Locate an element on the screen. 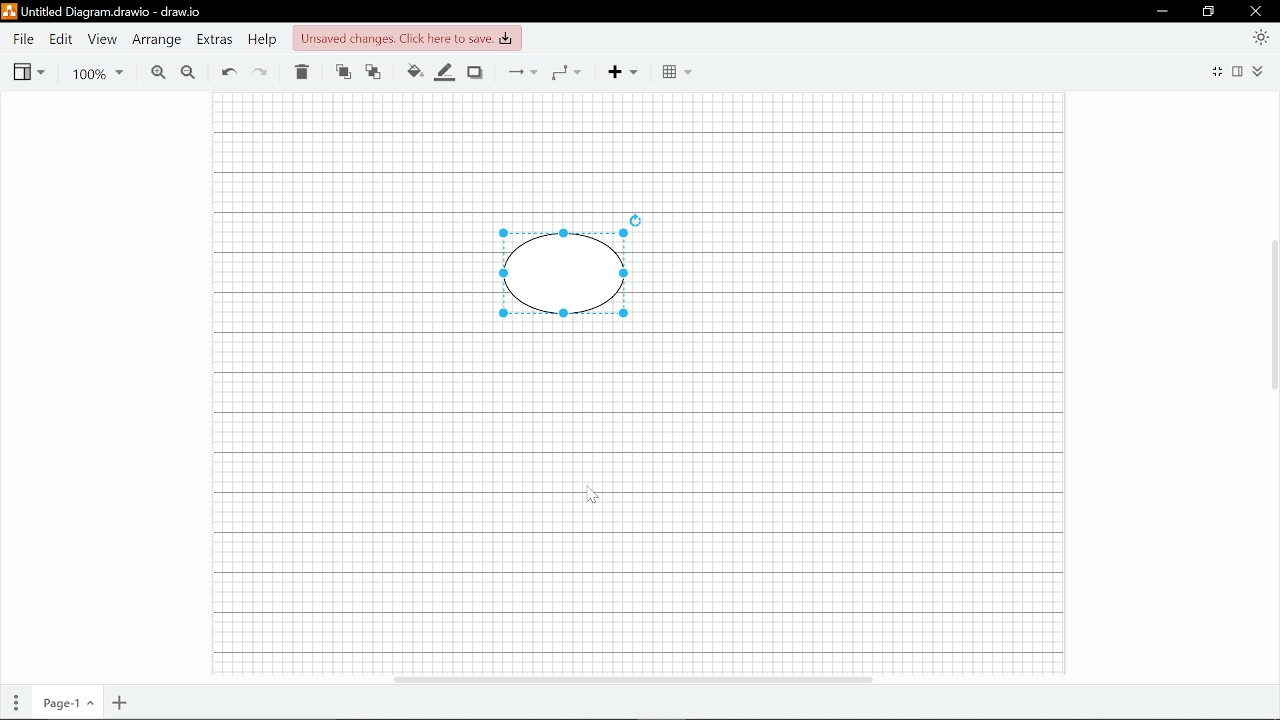 The height and width of the screenshot is (720, 1280). View is located at coordinates (28, 72).